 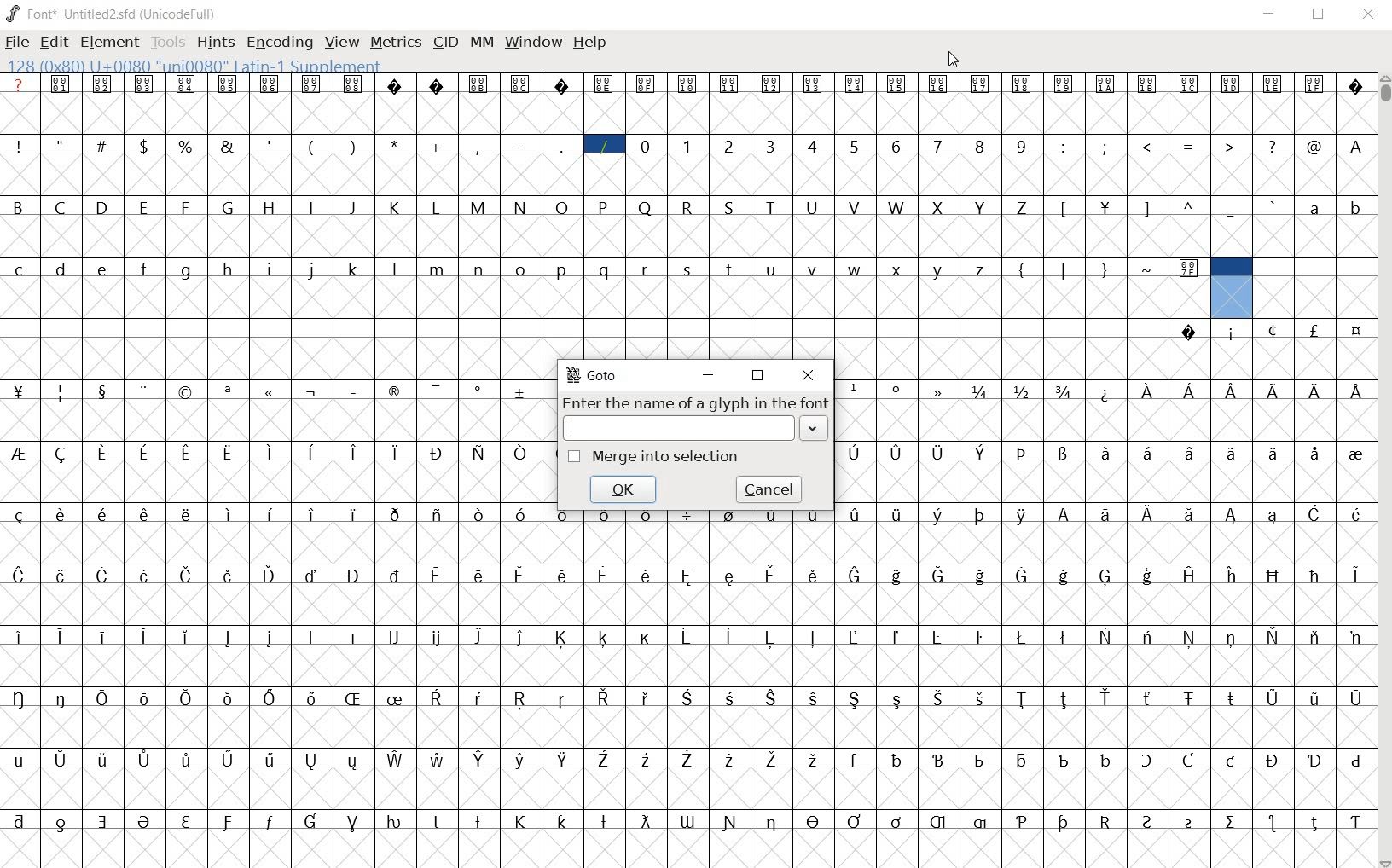 I want to click on Symbol, so click(x=64, y=574).